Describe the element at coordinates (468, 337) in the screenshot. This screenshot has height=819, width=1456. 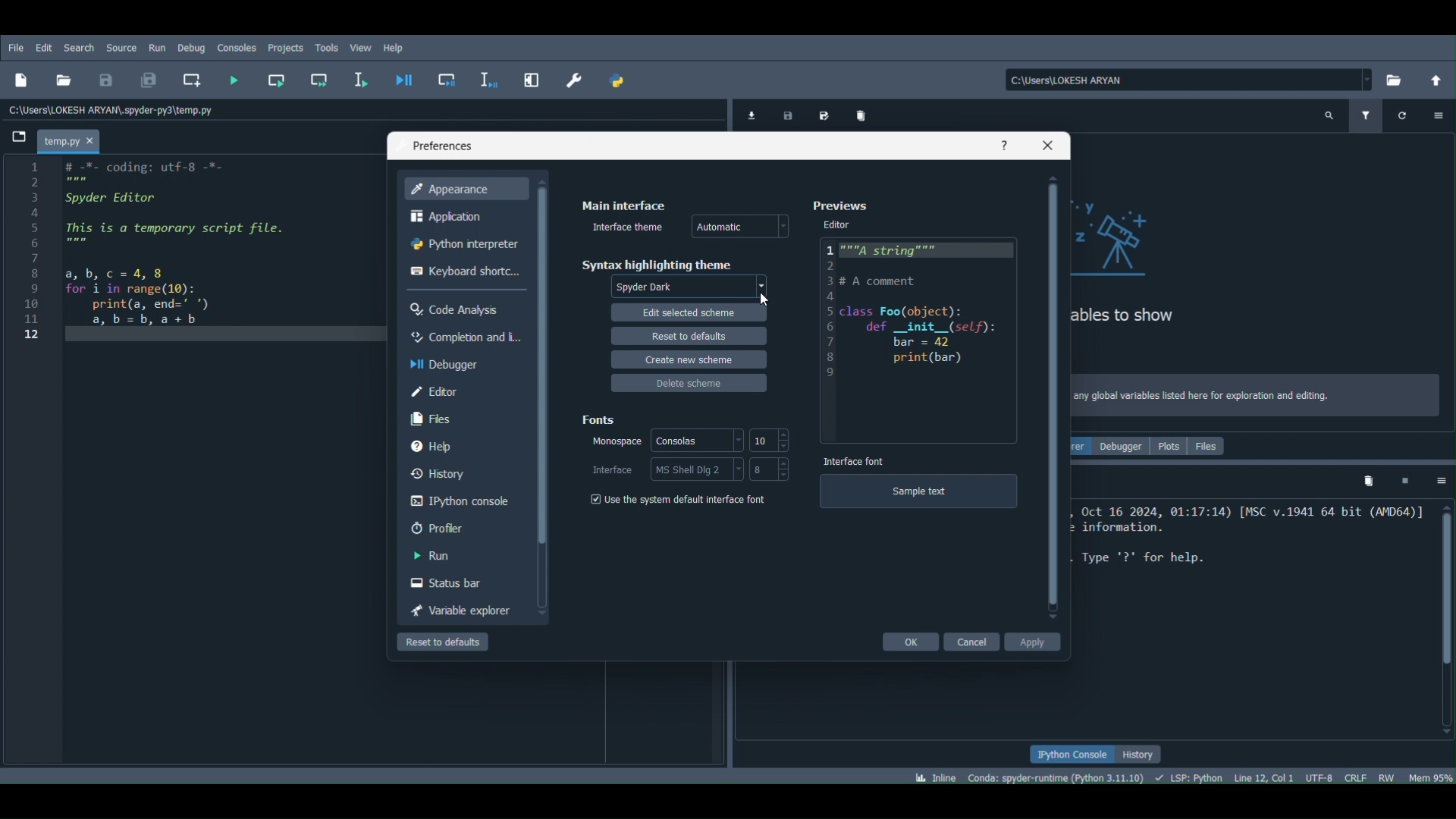
I see `Completion and linting` at that location.